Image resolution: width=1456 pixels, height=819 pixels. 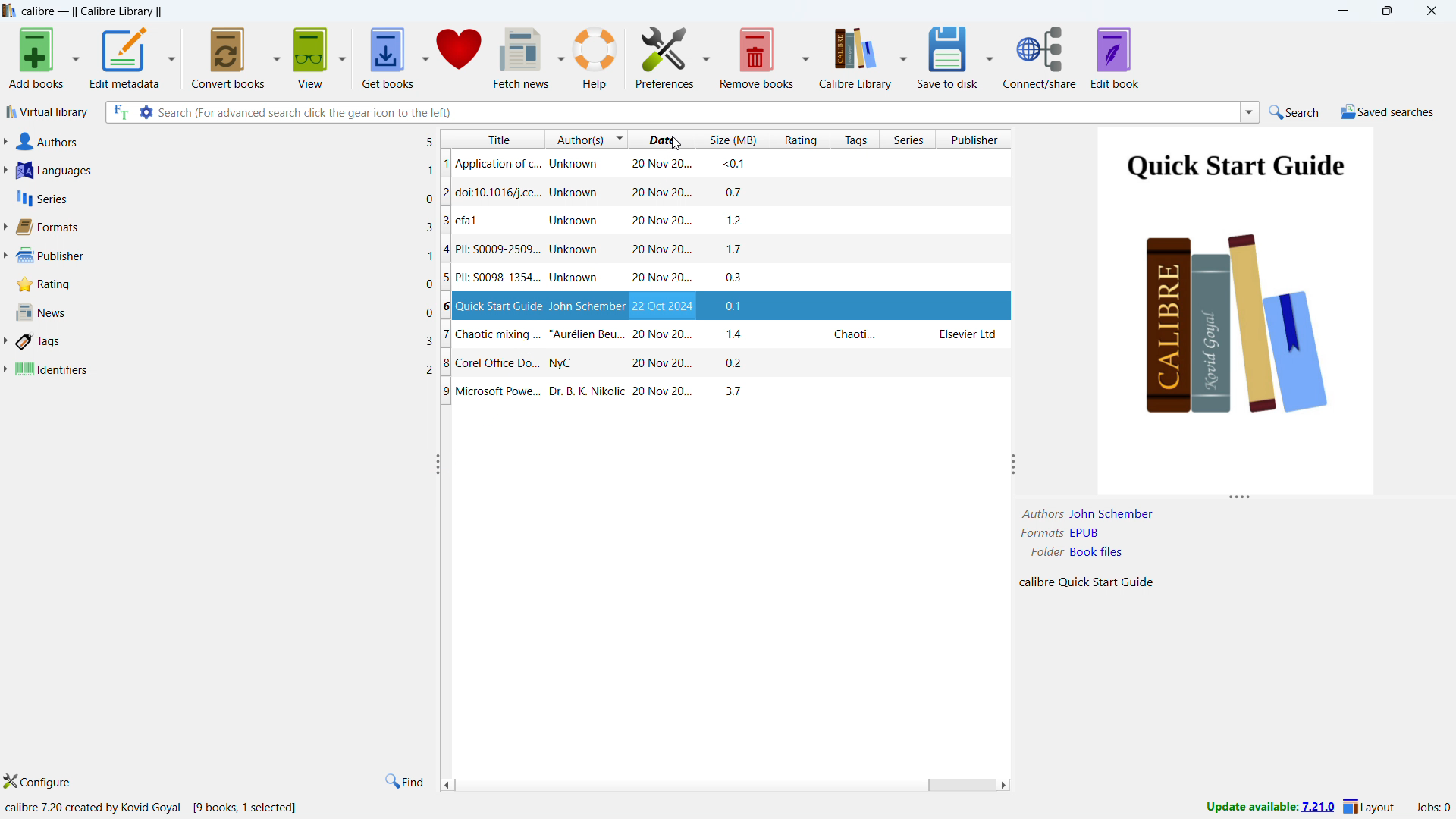 I want to click on PII: S0098-1354.., so click(x=491, y=279).